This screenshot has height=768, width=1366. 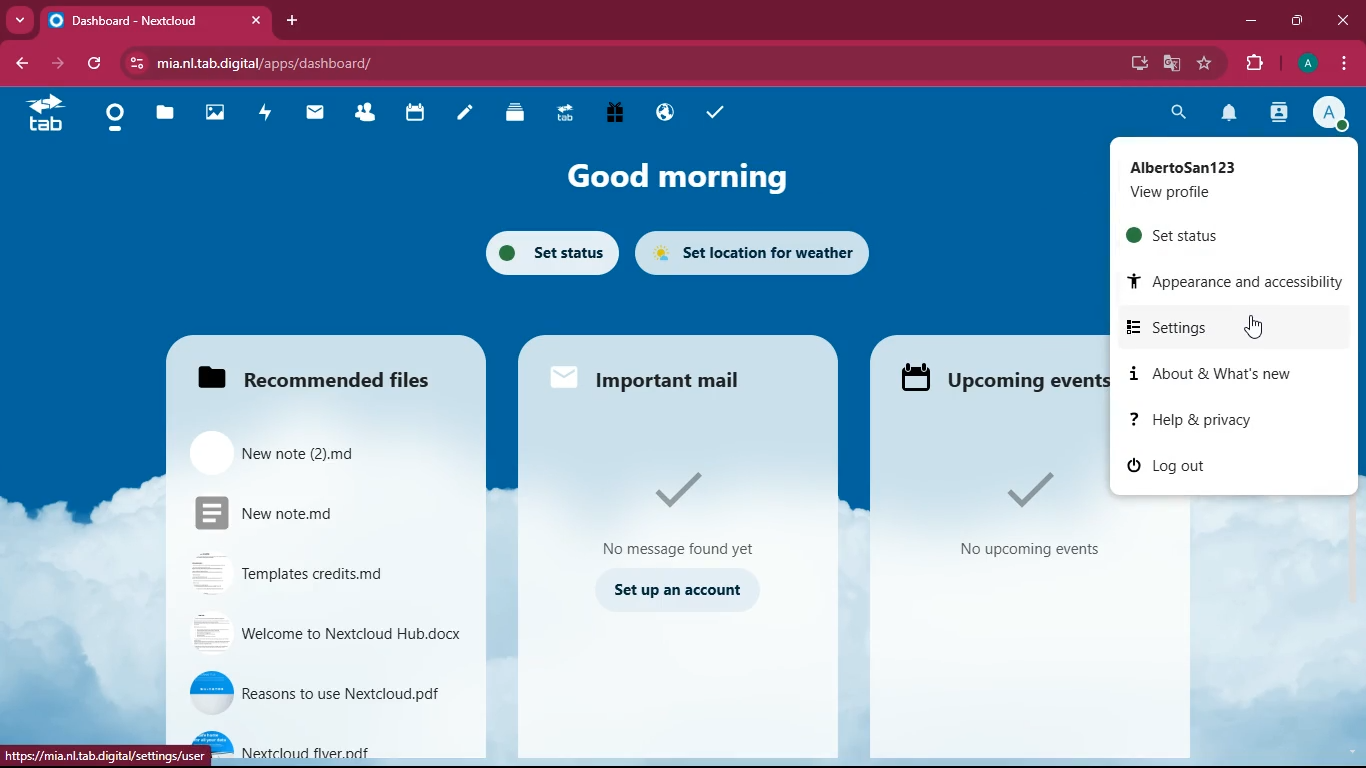 What do you see at coordinates (1231, 280) in the screenshot?
I see `appearance and accessibility` at bounding box center [1231, 280].